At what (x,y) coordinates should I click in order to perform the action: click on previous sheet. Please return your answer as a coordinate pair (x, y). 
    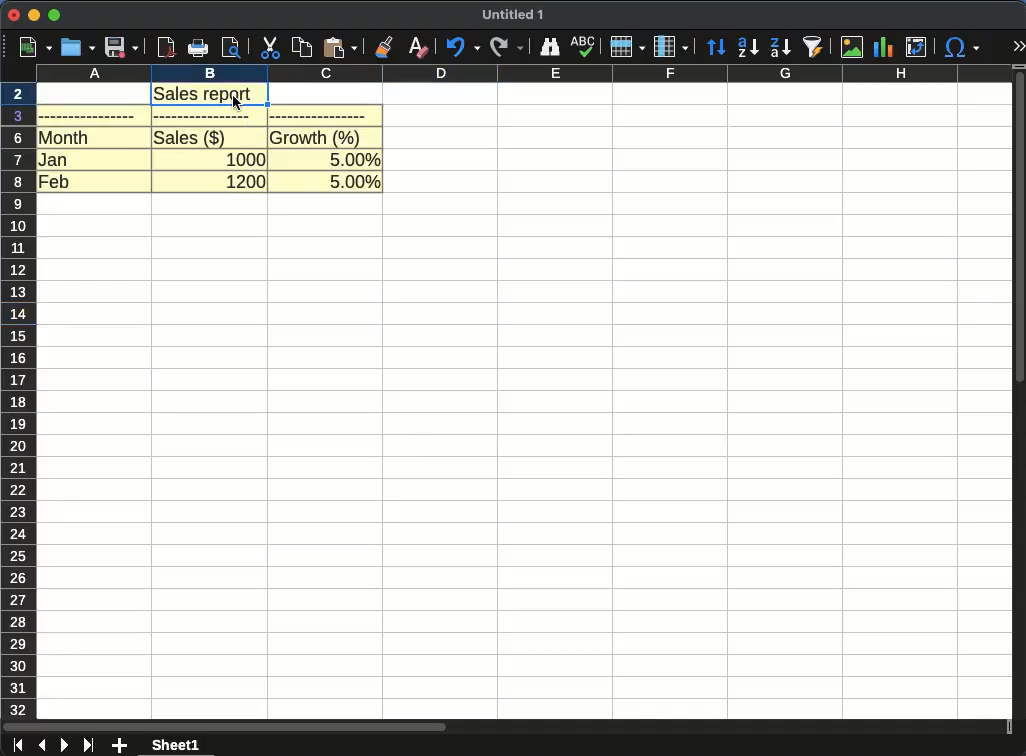
    Looking at the image, I should click on (42, 746).